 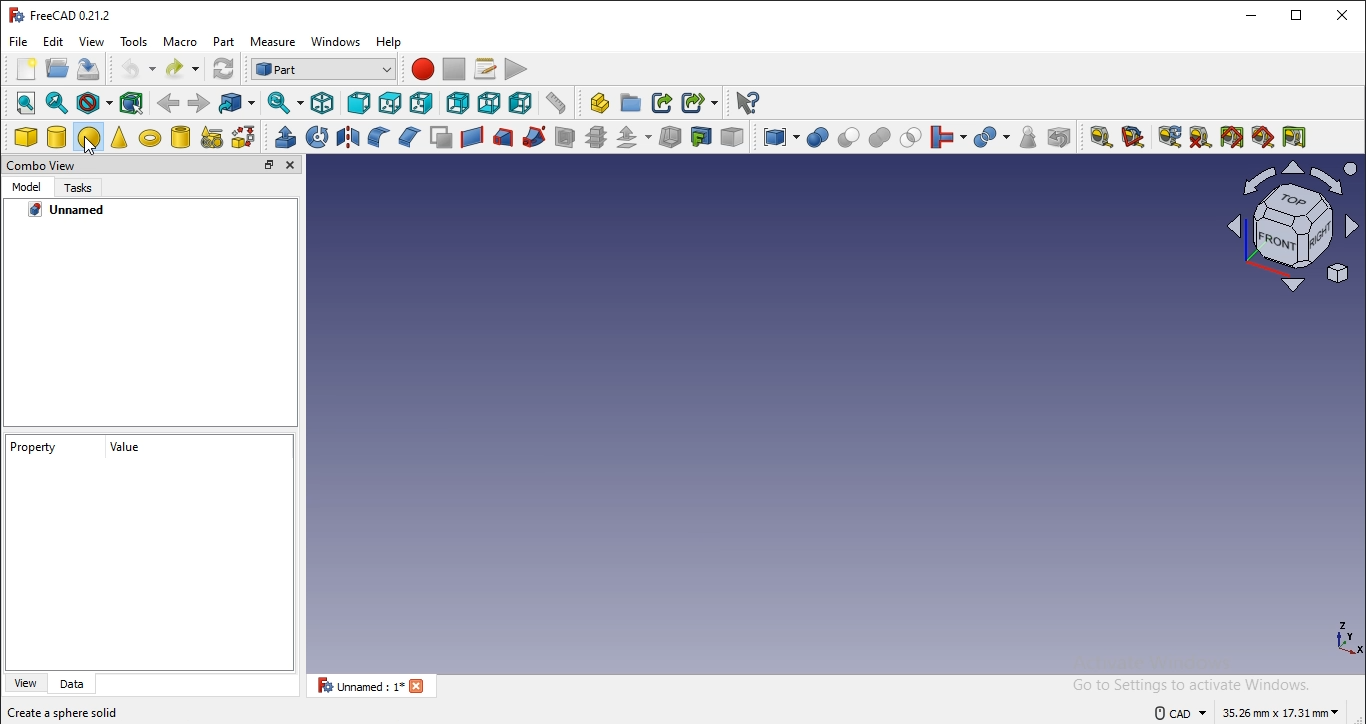 I want to click on macro recording, so click(x=422, y=68).